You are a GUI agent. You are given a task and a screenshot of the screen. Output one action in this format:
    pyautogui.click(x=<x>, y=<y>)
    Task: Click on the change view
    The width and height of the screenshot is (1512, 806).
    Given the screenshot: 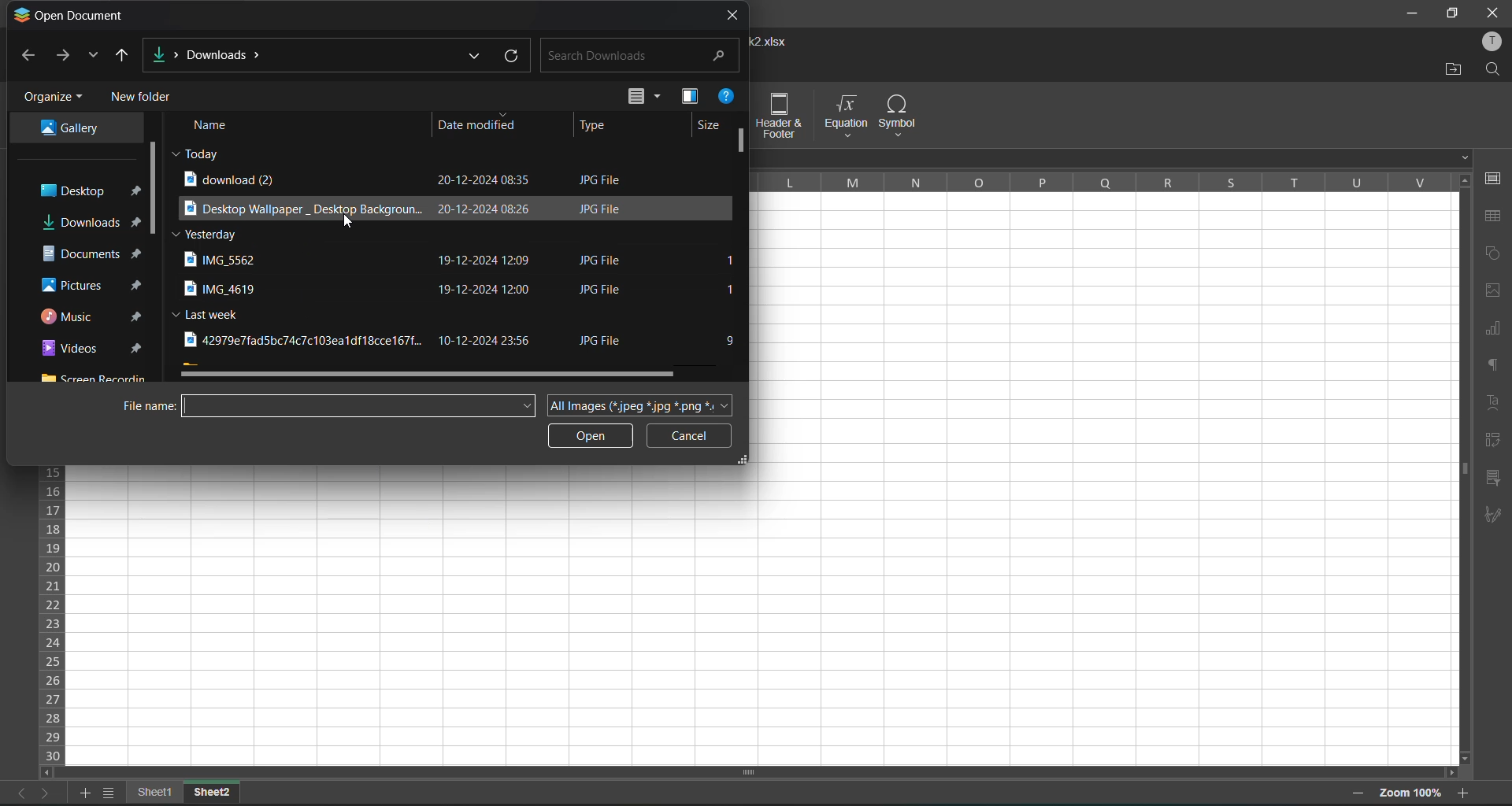 What is the action you would take?
    pyautogui.click(x=644, y=98)
    